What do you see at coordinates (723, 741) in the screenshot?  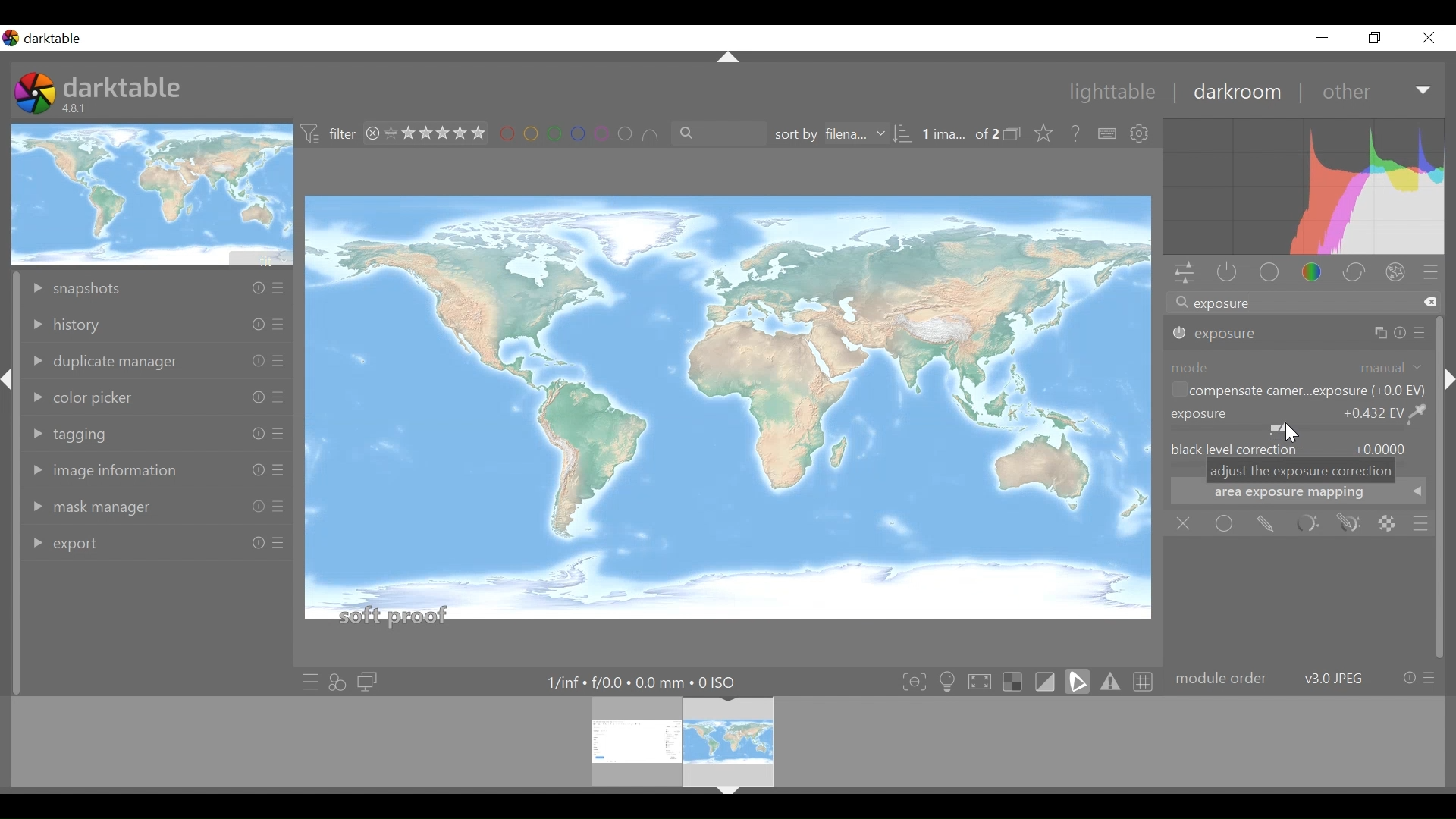 I see `filmstrip` at bounding box center [723, 741].